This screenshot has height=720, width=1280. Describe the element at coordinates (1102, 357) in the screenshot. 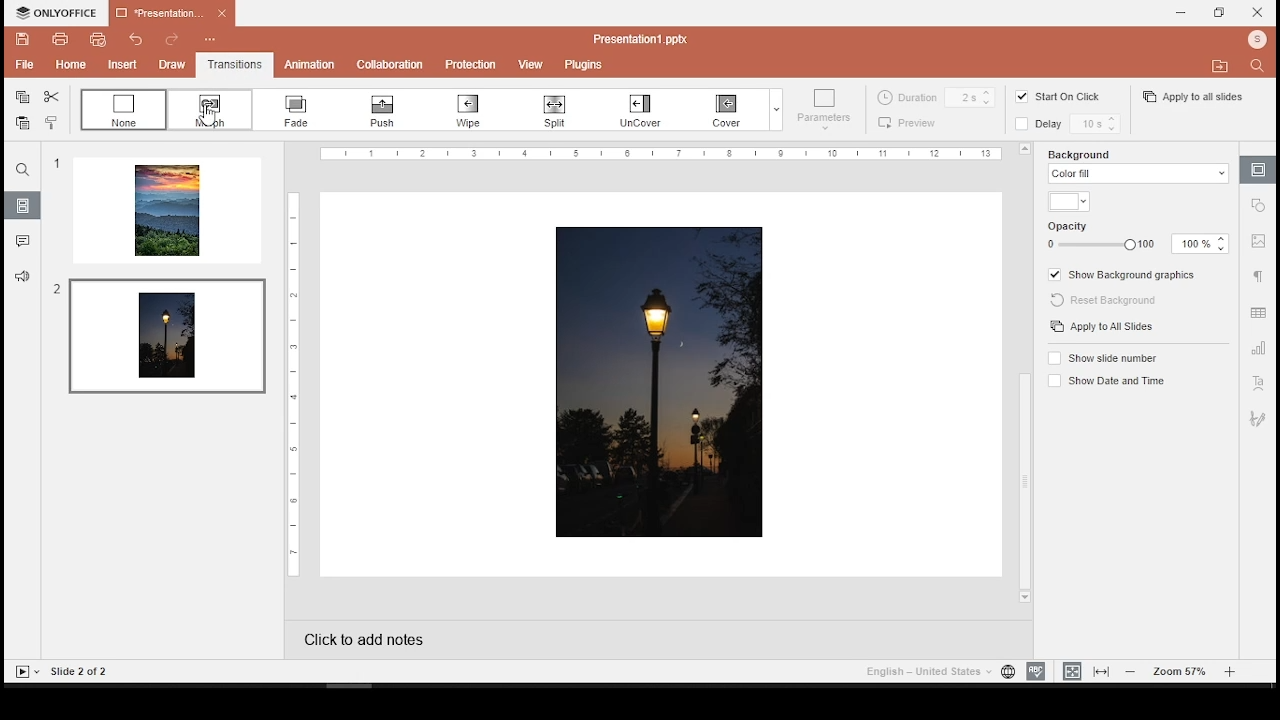

I see `show slide number on/off` at that location.